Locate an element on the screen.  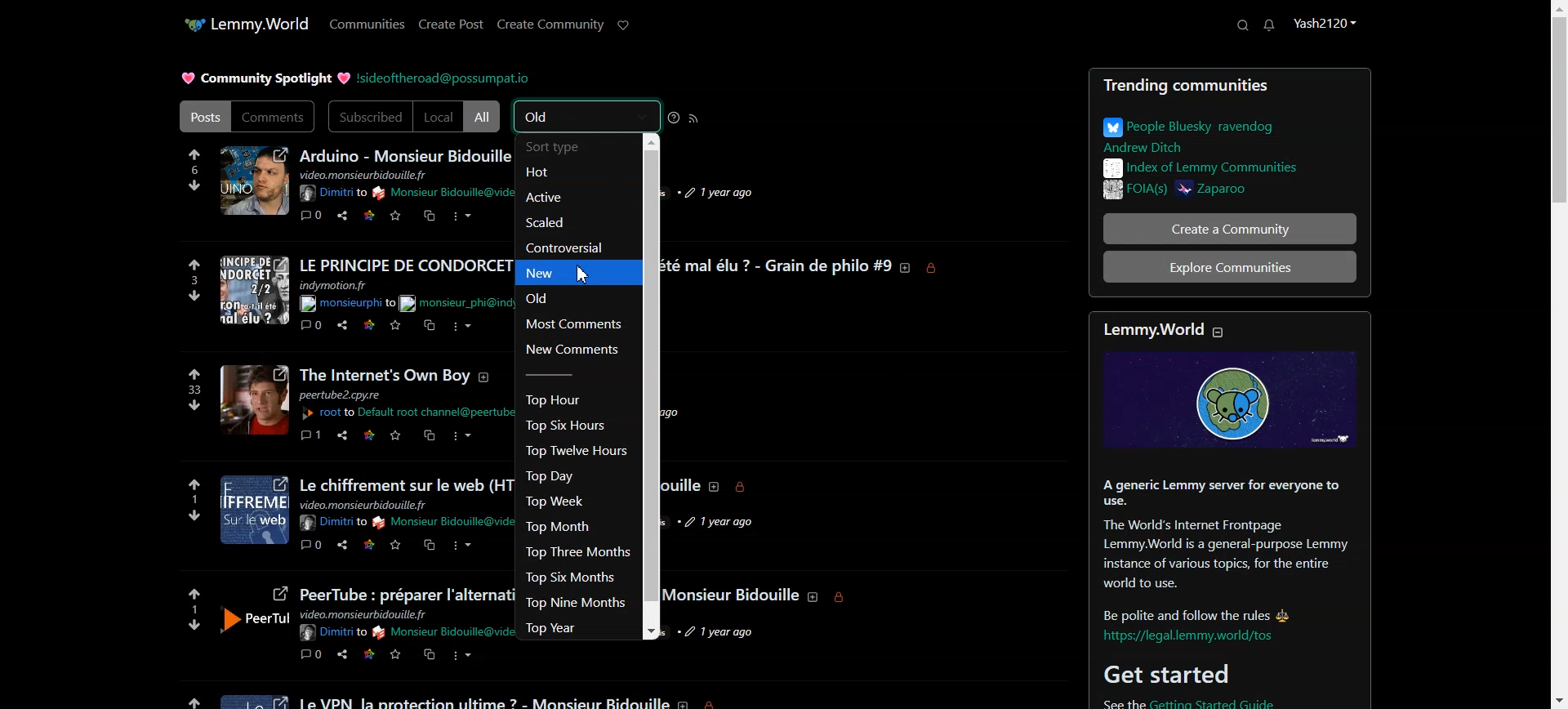
Old is located at coordinates (573, 297).